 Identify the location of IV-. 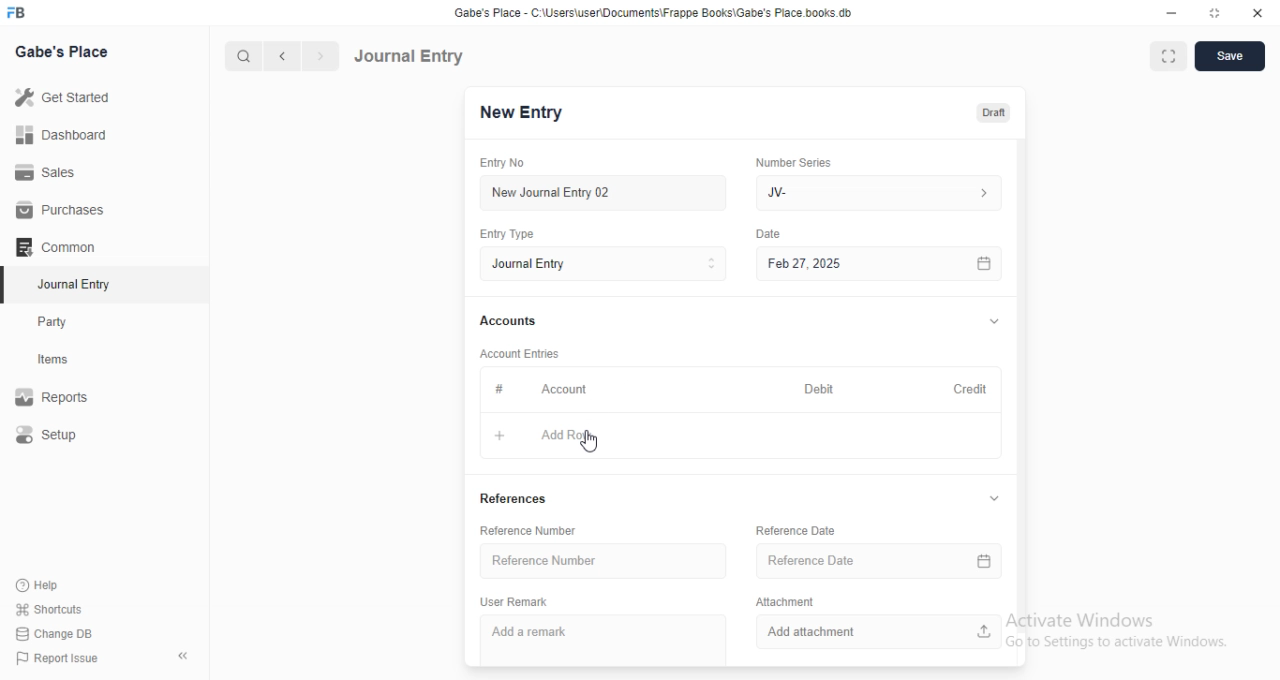
(877, 192).